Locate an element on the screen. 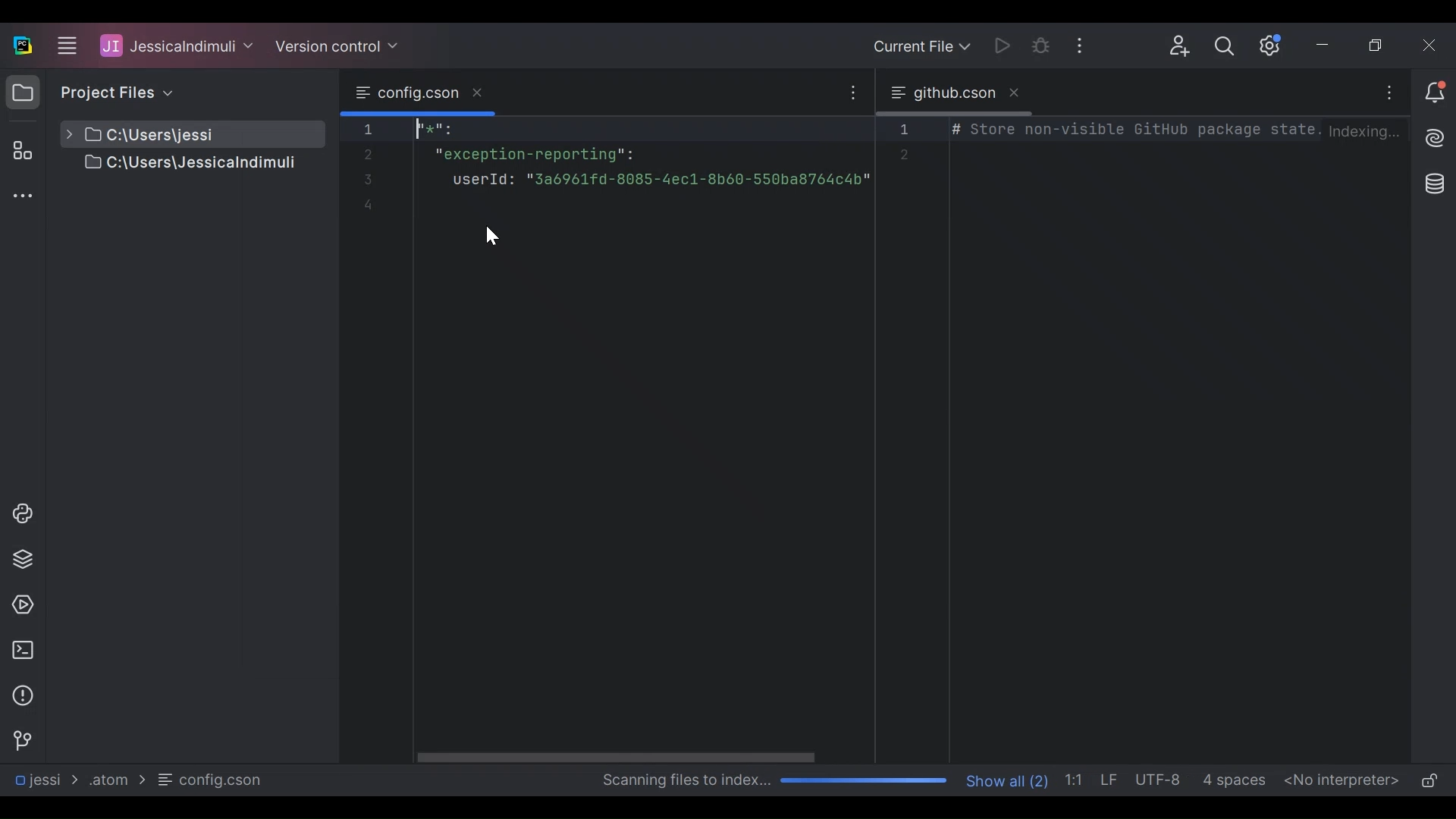 The width and height of the screenshot is (1456, 819). Python Console is located at coordinates (22, 513).